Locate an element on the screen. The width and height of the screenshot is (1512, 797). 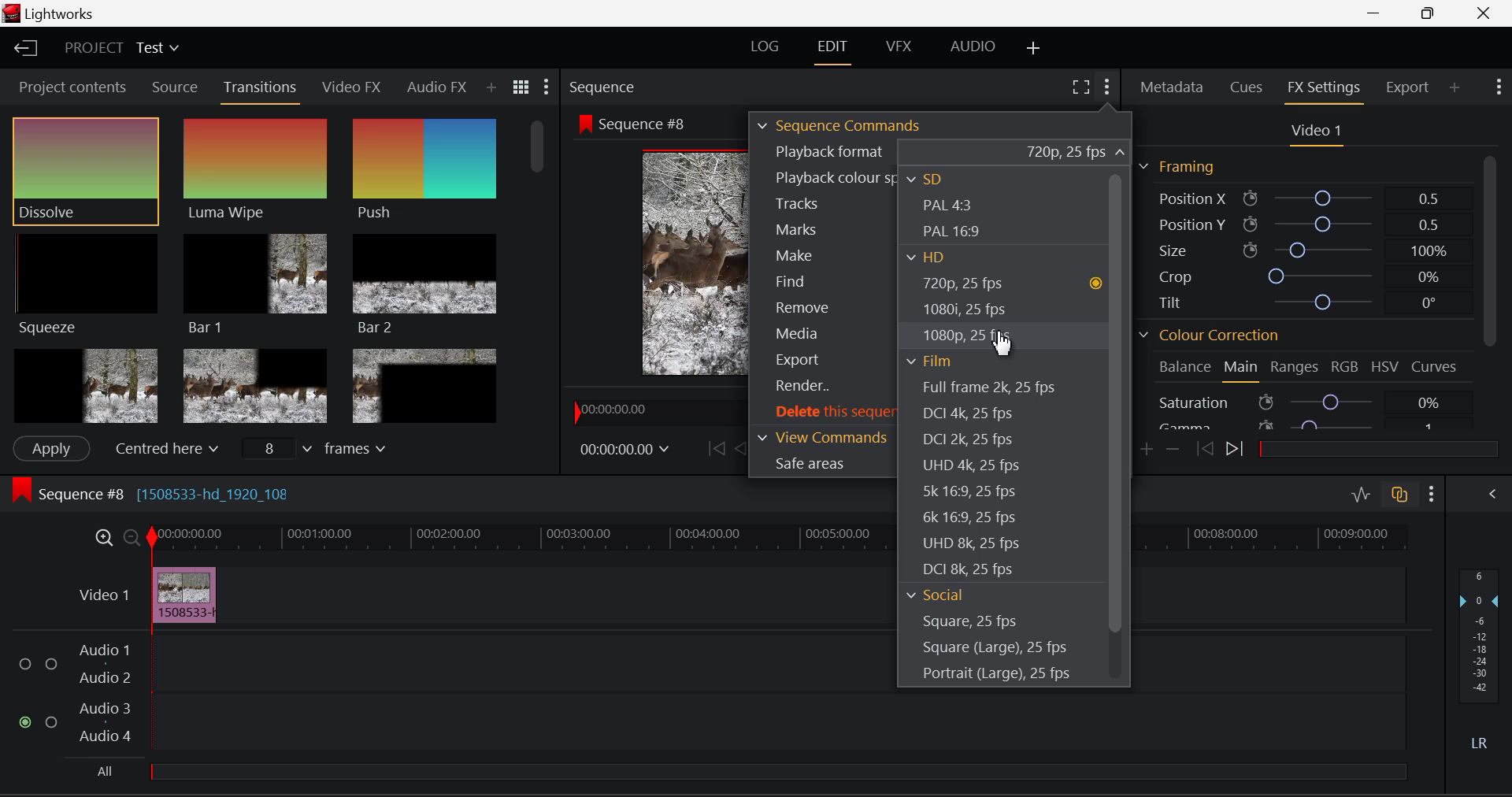
Bar 2 is located at coordinates (425, 286).